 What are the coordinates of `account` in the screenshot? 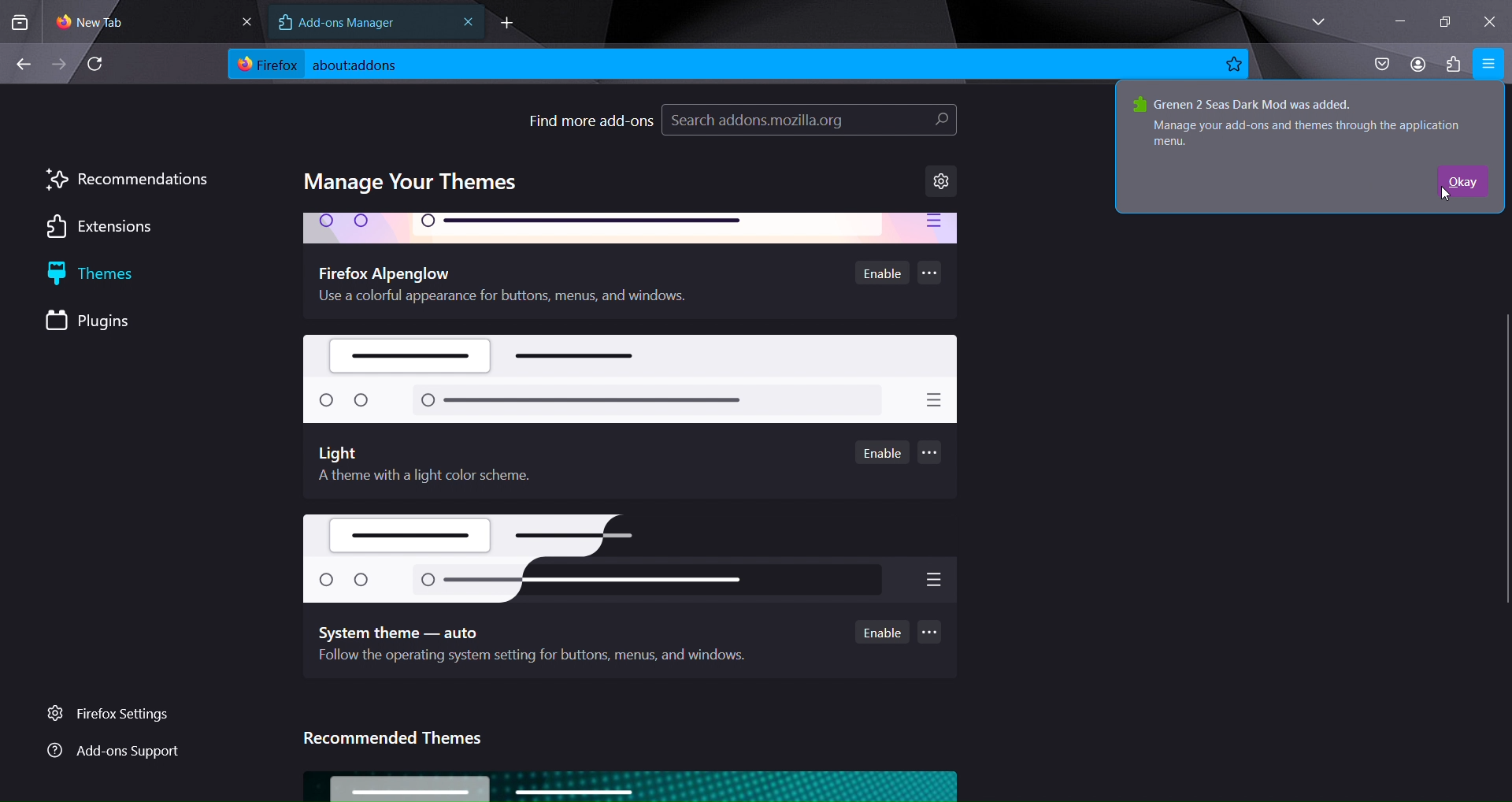 It's located at (1417, 65).